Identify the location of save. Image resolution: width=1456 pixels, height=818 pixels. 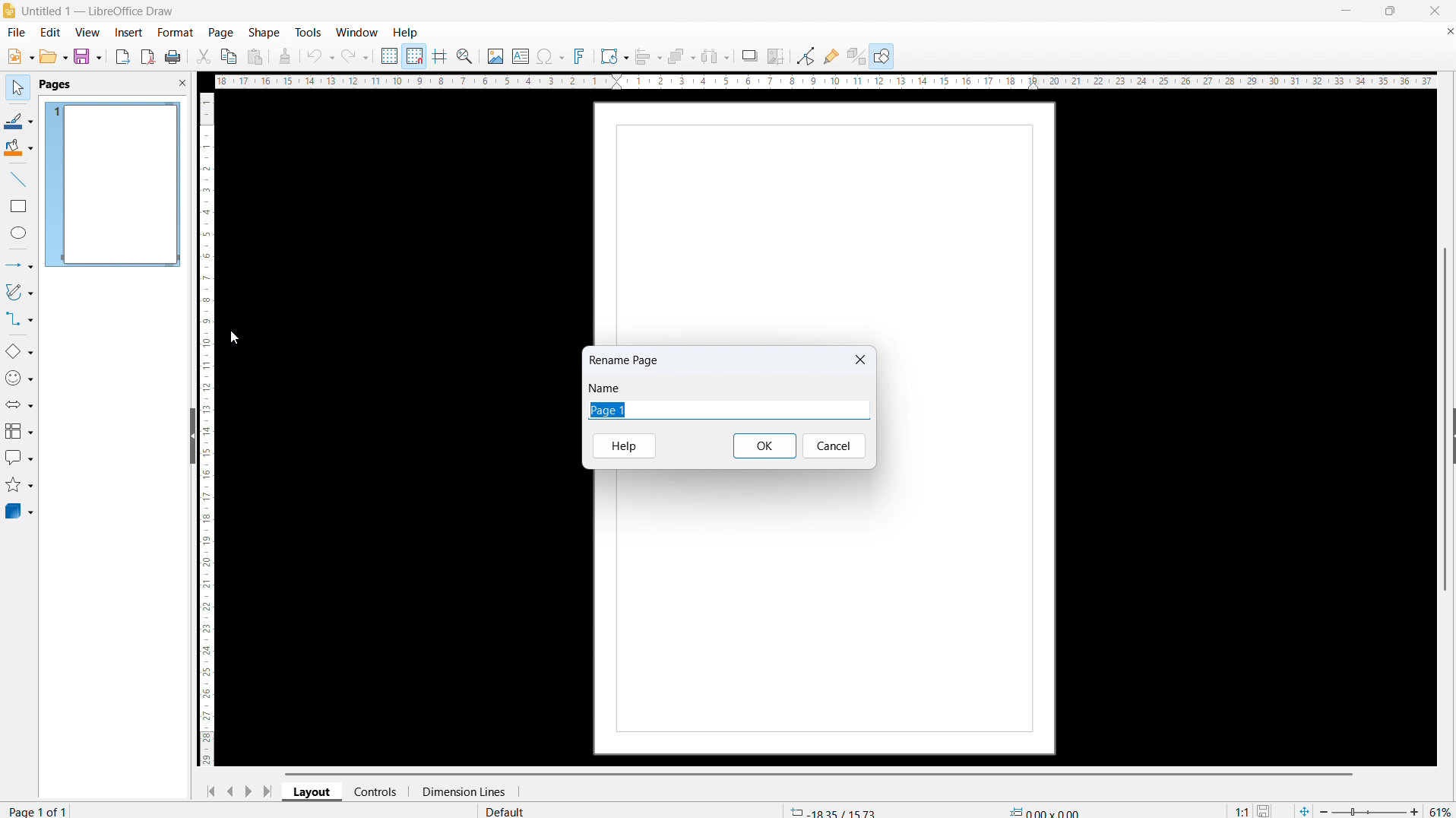
(88, 57).